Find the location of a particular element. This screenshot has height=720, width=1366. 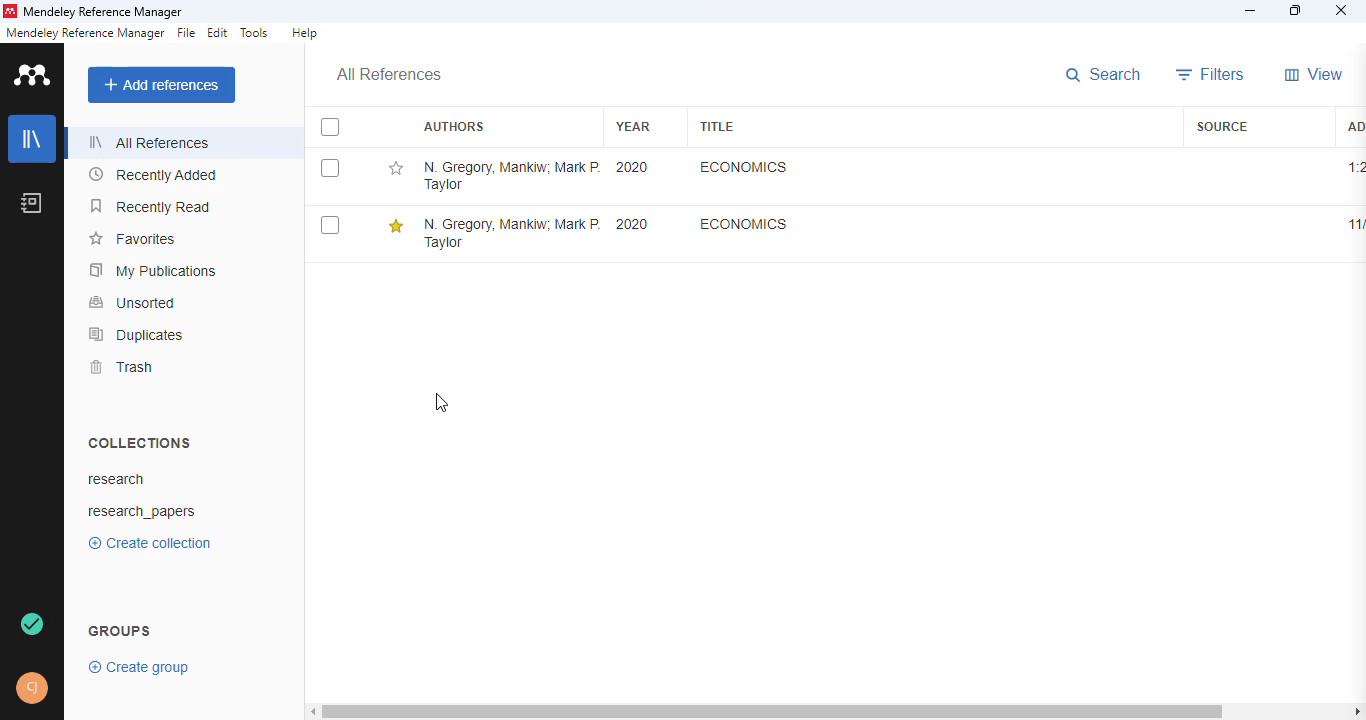

recently read is located at coordinates (151, 207).